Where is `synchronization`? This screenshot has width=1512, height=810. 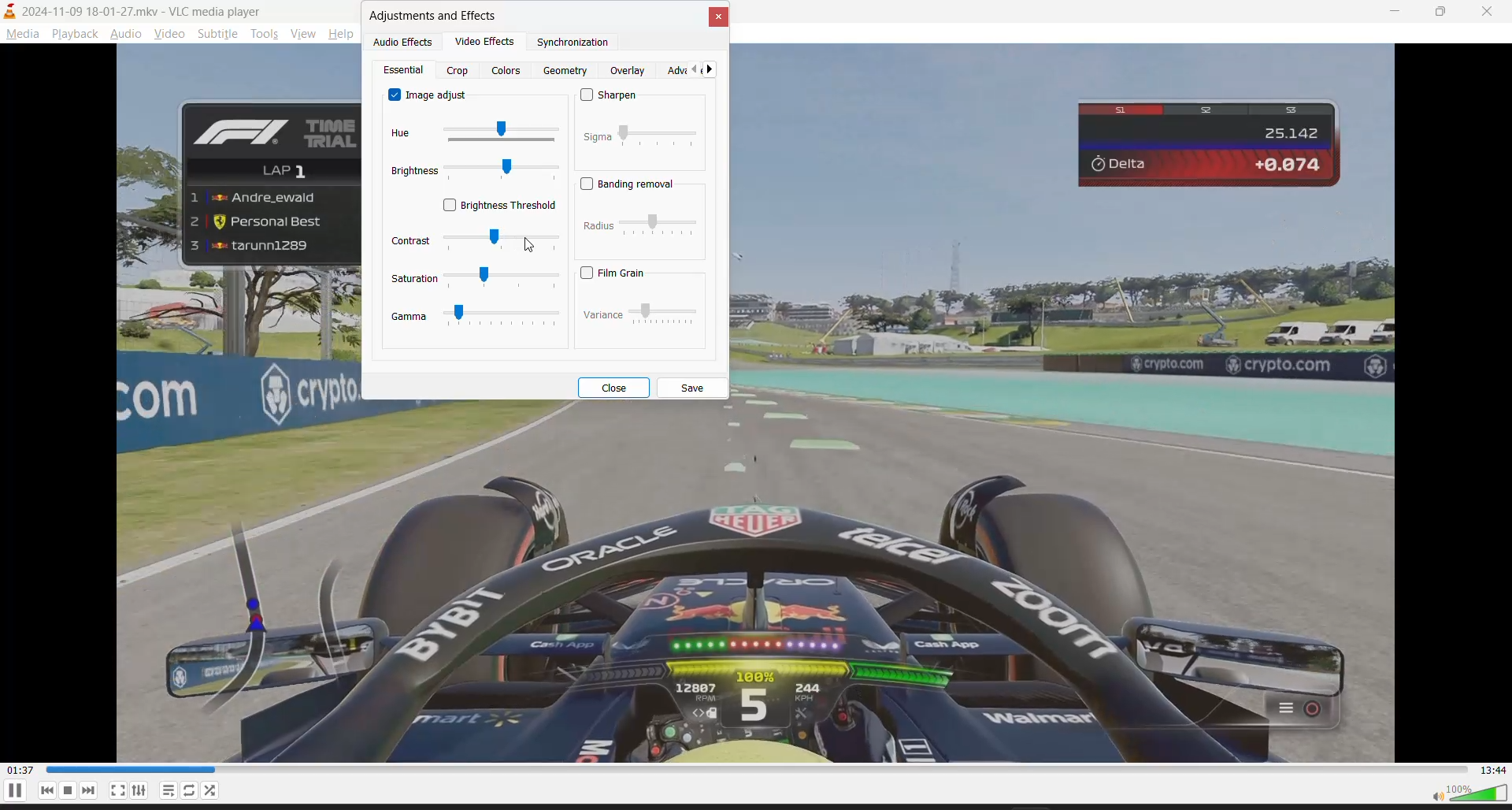
synchronization is located at coordinates (574, 43).